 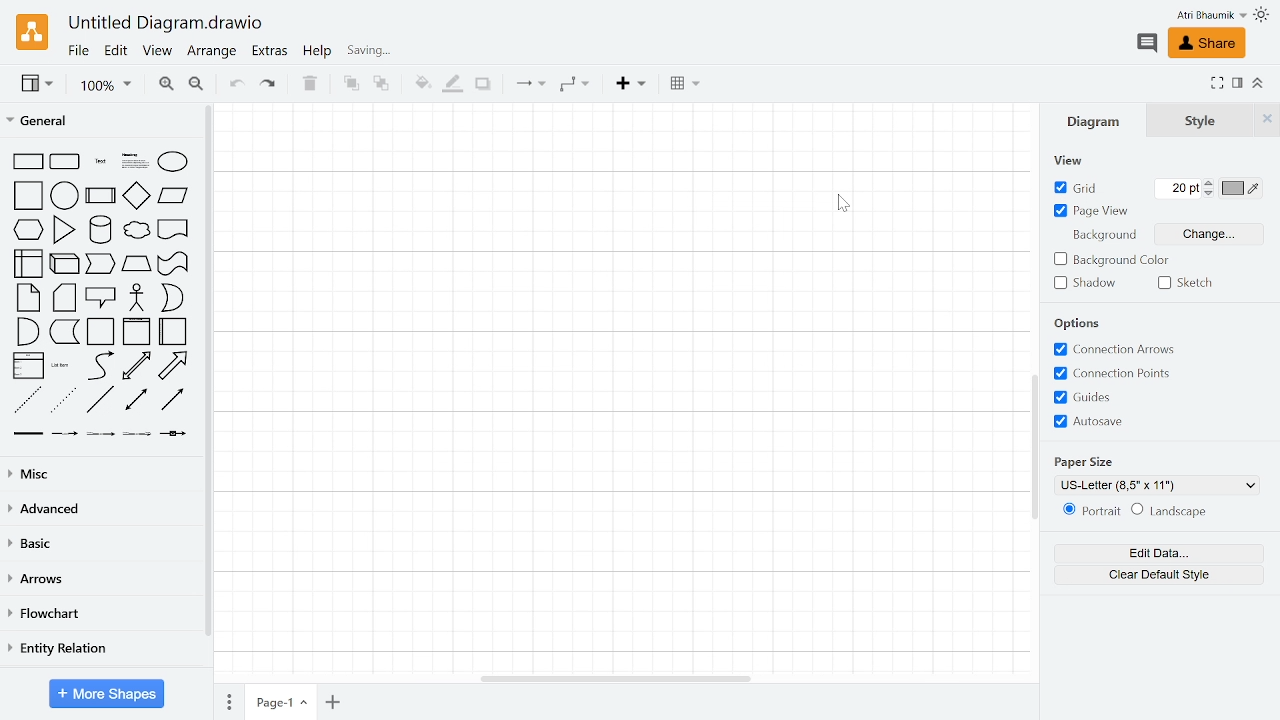 What do you see at coordinates (350, 84) in the screenshot?
I see `TO front` at bounding box center [350, 84].